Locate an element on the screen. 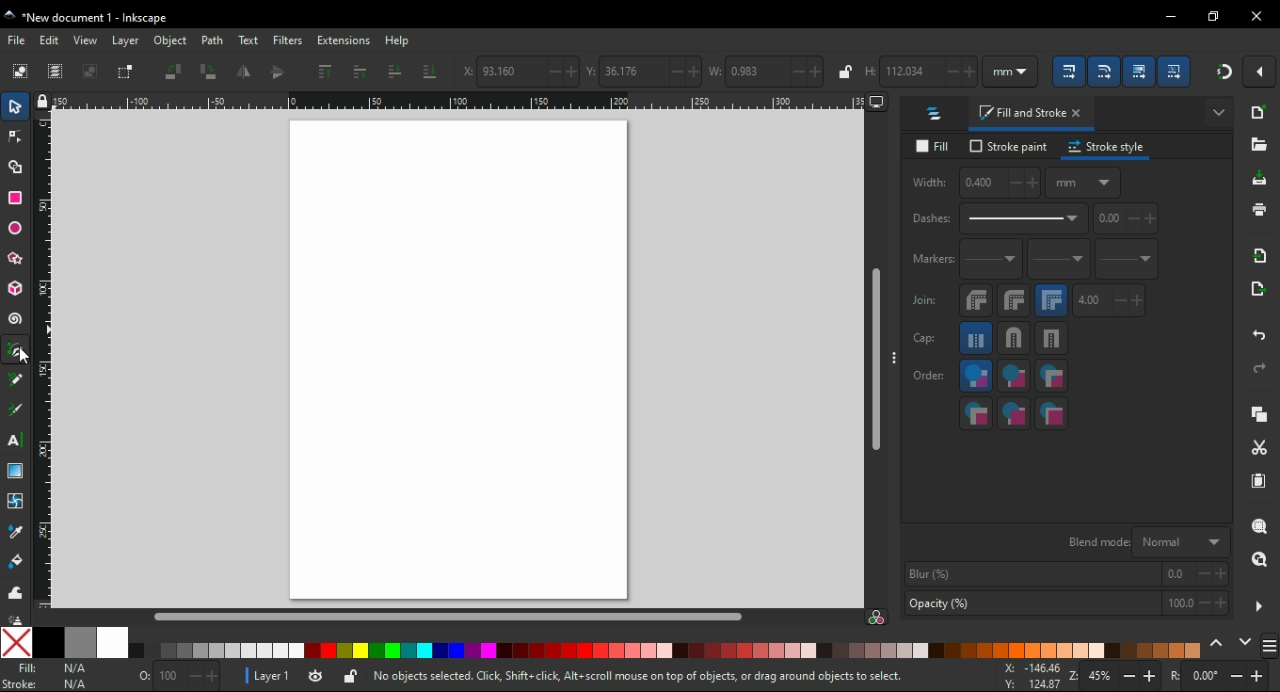 The image size is (1280, 692). path is located at coordinates (214, 40).